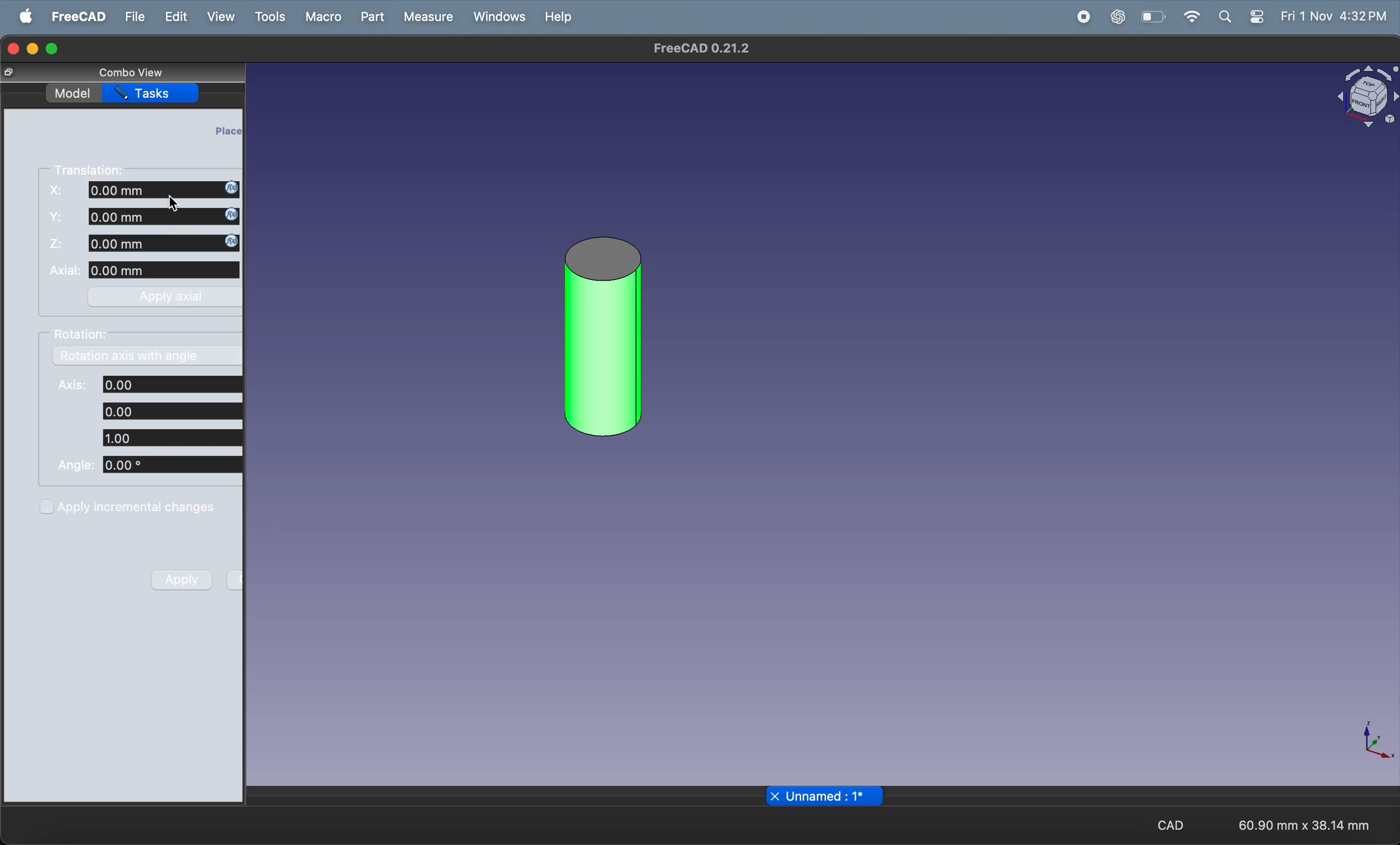 The width and height of the screenshot is (1400, 845). I want to click on Axial:, so click(64, 270).